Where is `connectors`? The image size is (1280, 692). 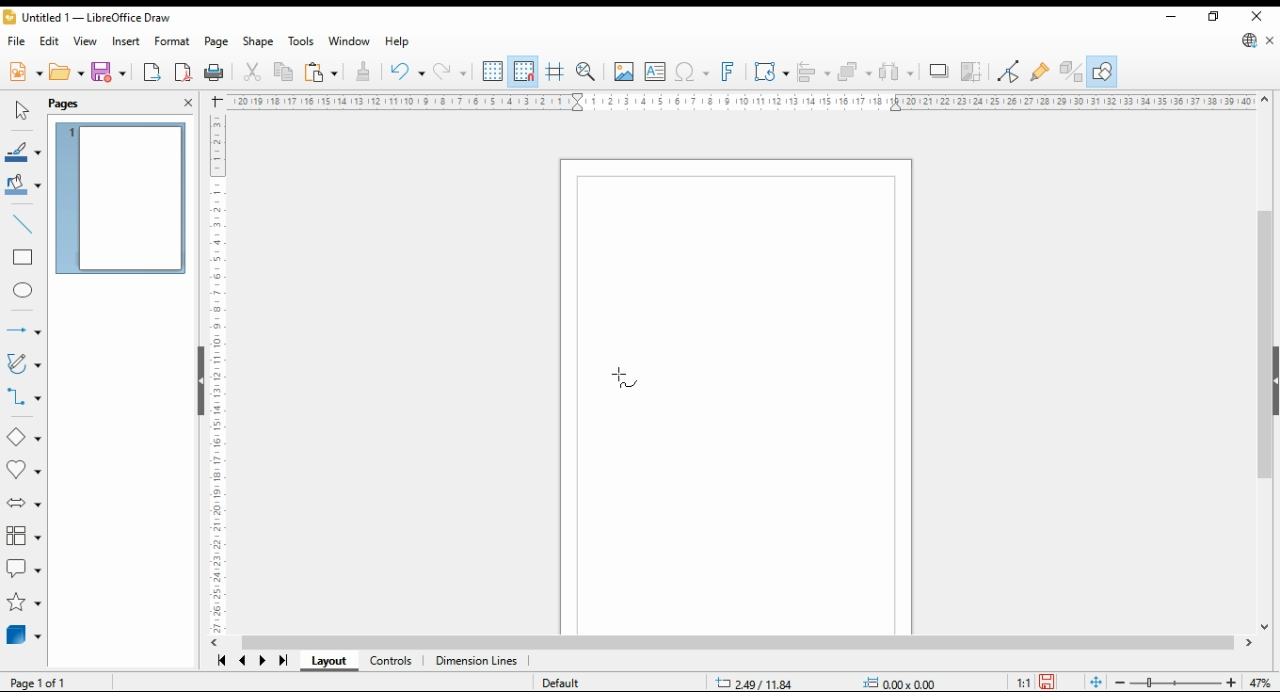 connectors is located at coordinates (22, 399).